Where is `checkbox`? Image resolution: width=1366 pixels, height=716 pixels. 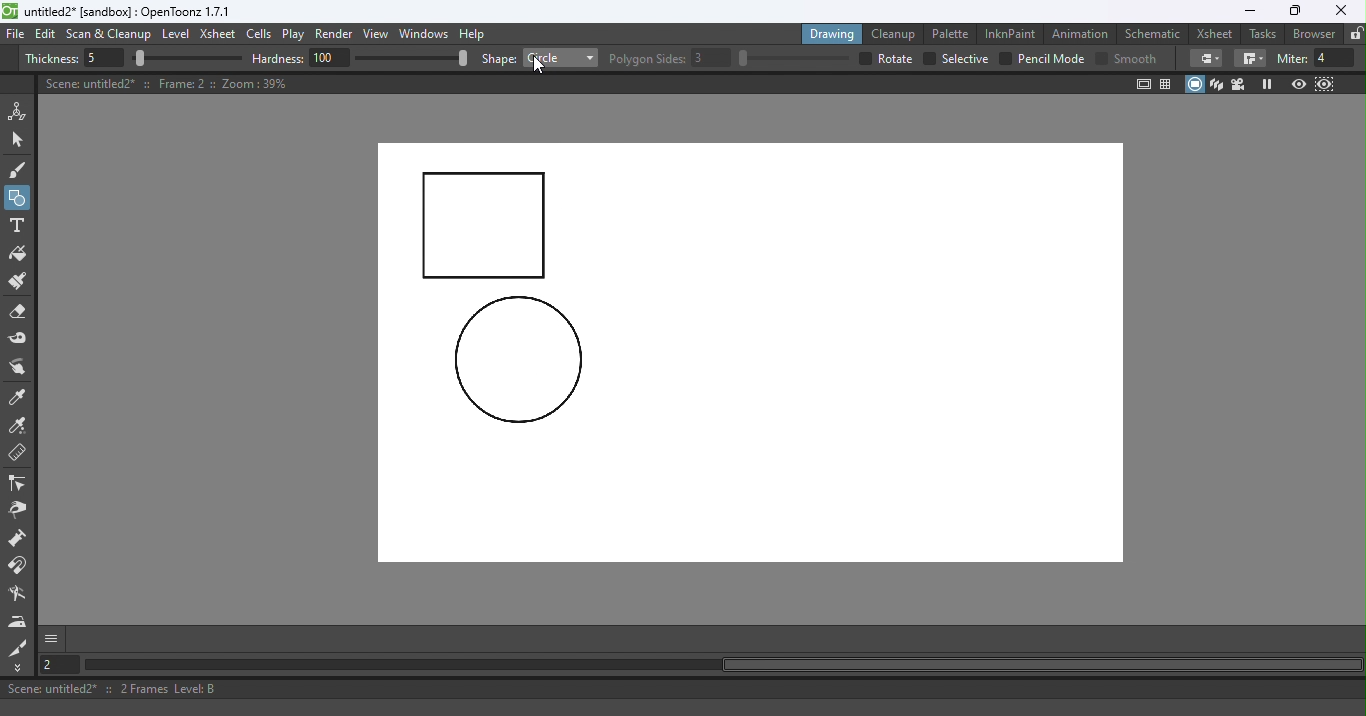
checkbox is located at coordinates (1005, 58).